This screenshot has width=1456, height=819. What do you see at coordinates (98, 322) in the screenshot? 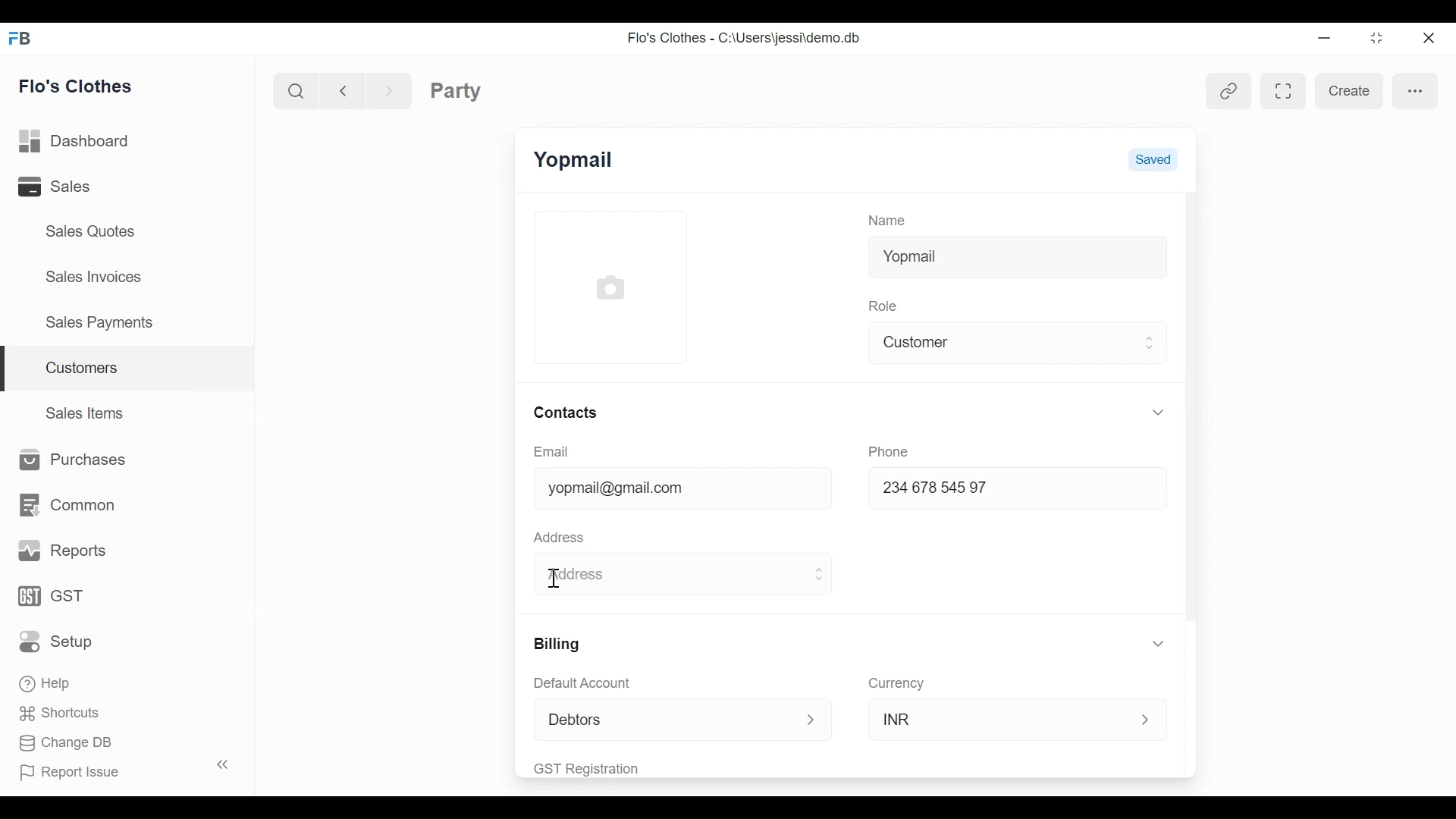
I see `Sales Payments` at bounding box center [98, 322].